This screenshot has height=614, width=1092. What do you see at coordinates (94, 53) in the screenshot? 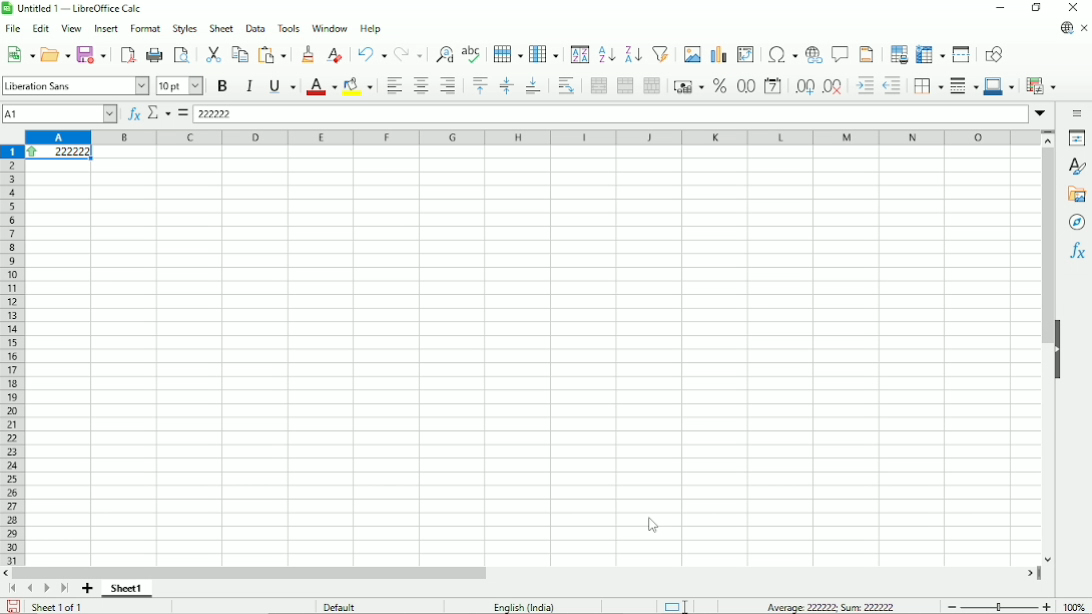
I see `Save` at bounding box center [94, 53].